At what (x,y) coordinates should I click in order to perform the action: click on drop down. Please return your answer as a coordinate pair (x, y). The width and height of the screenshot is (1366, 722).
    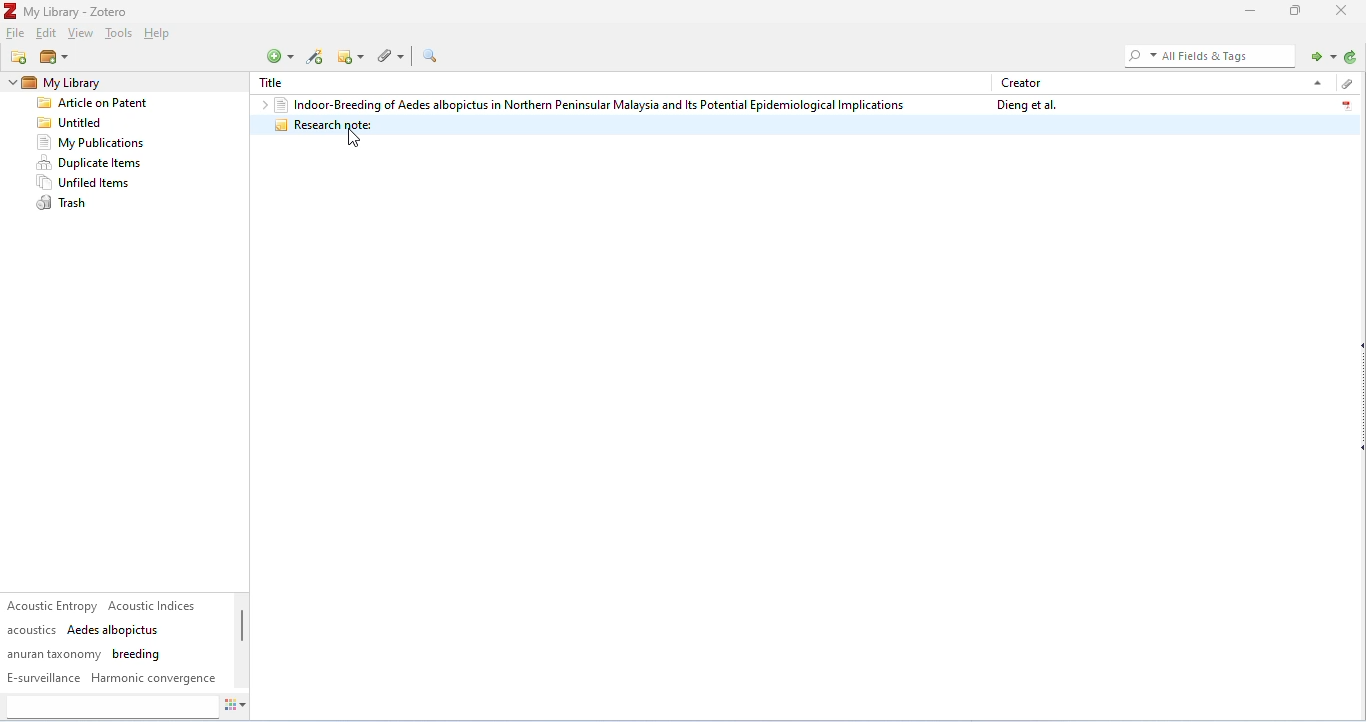
    Looking at the image, I should click on (10, 83).